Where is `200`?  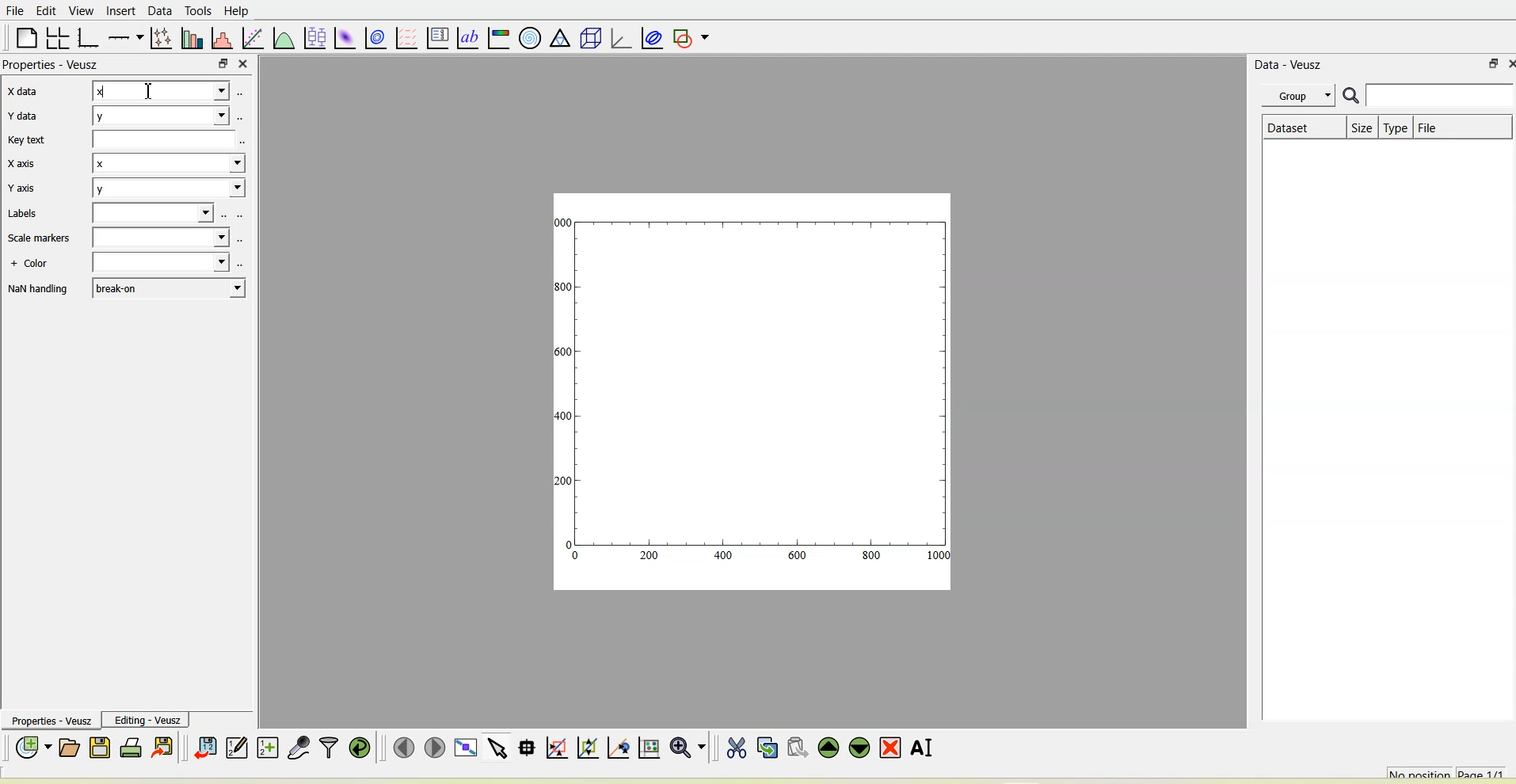 200 is located at coordinates (564, 480).